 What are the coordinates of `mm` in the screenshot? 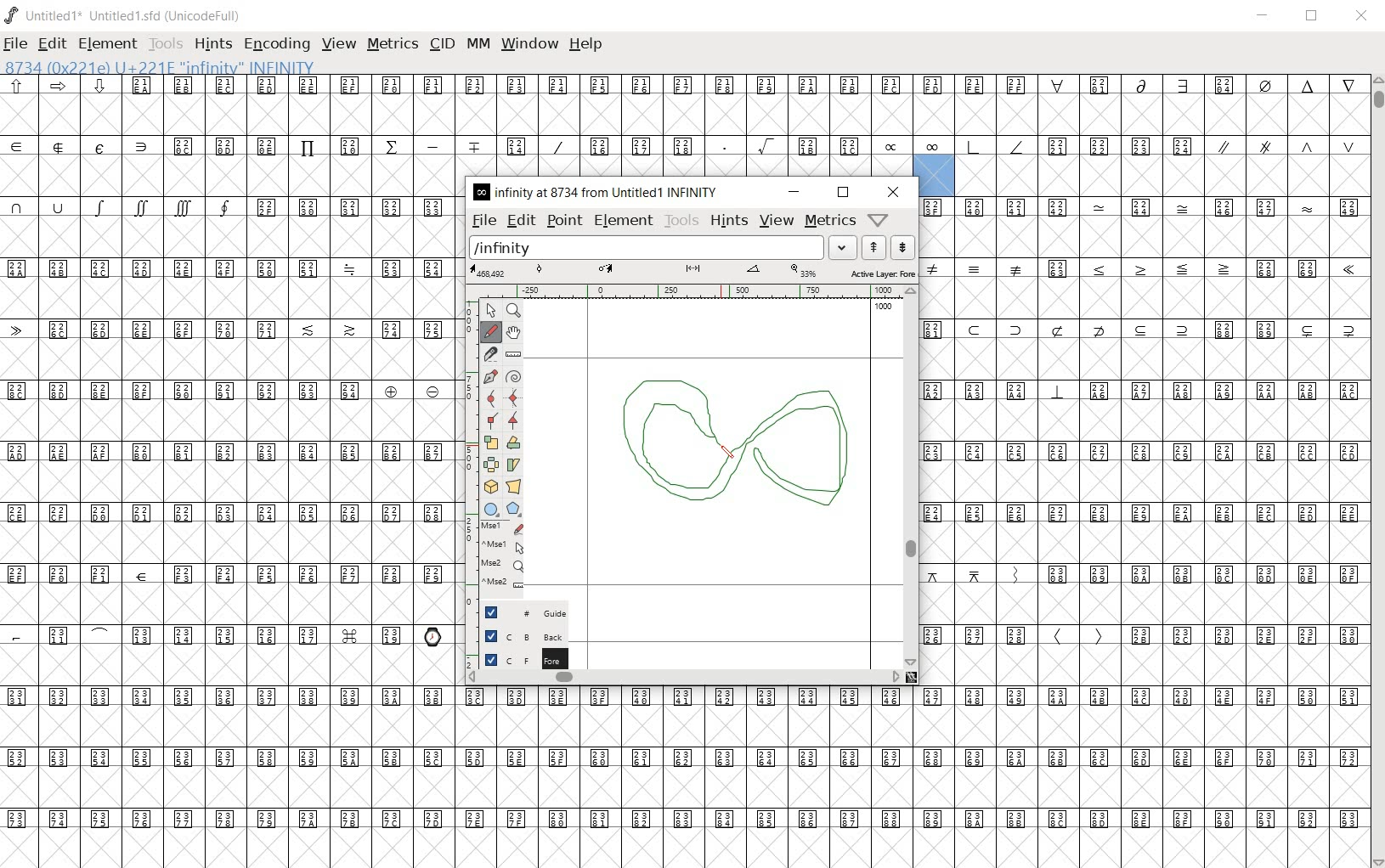 It's located at (477, 45).